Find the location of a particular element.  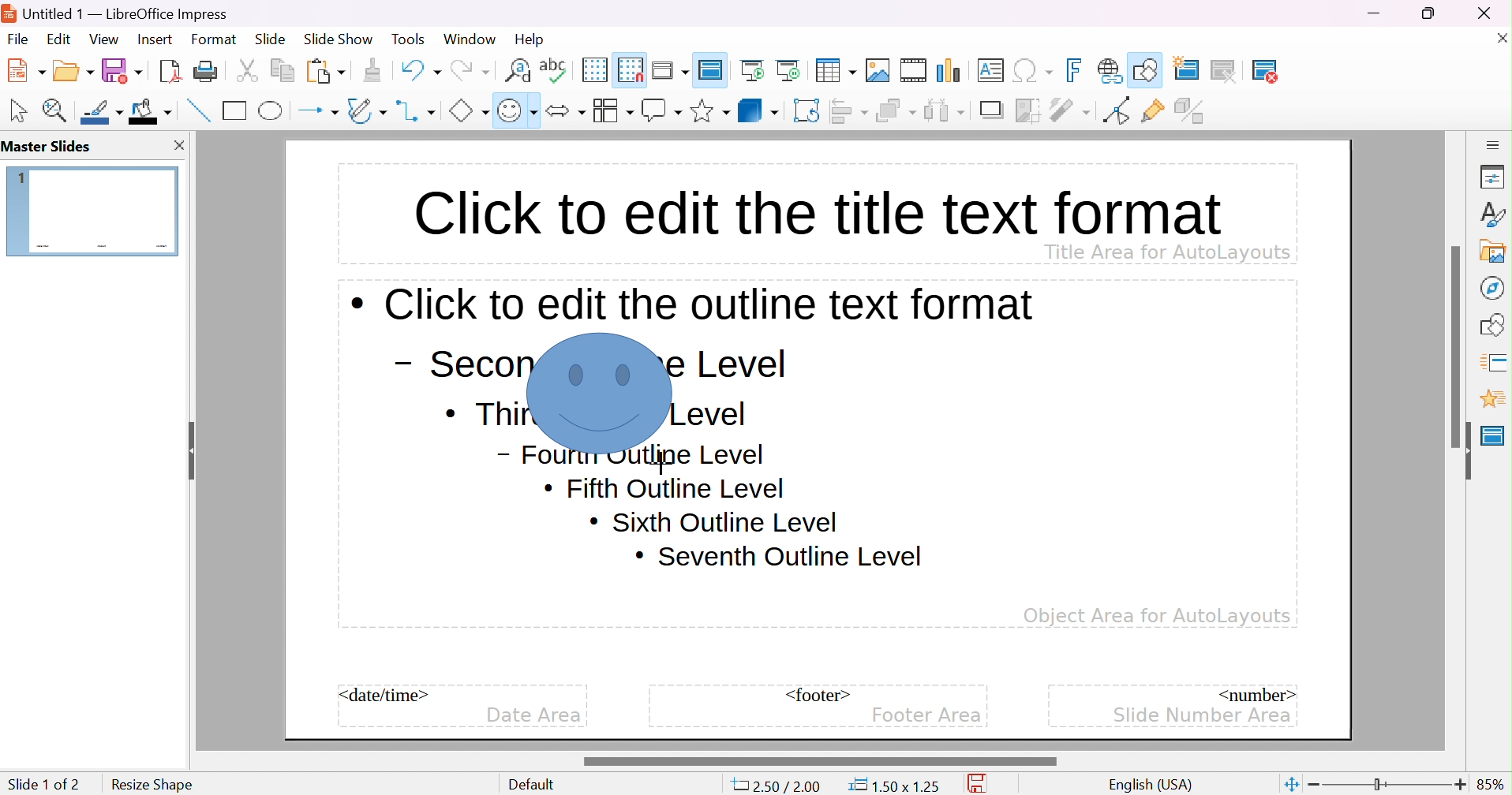

slide 1 of 2 is located at coordinates (43, 784).